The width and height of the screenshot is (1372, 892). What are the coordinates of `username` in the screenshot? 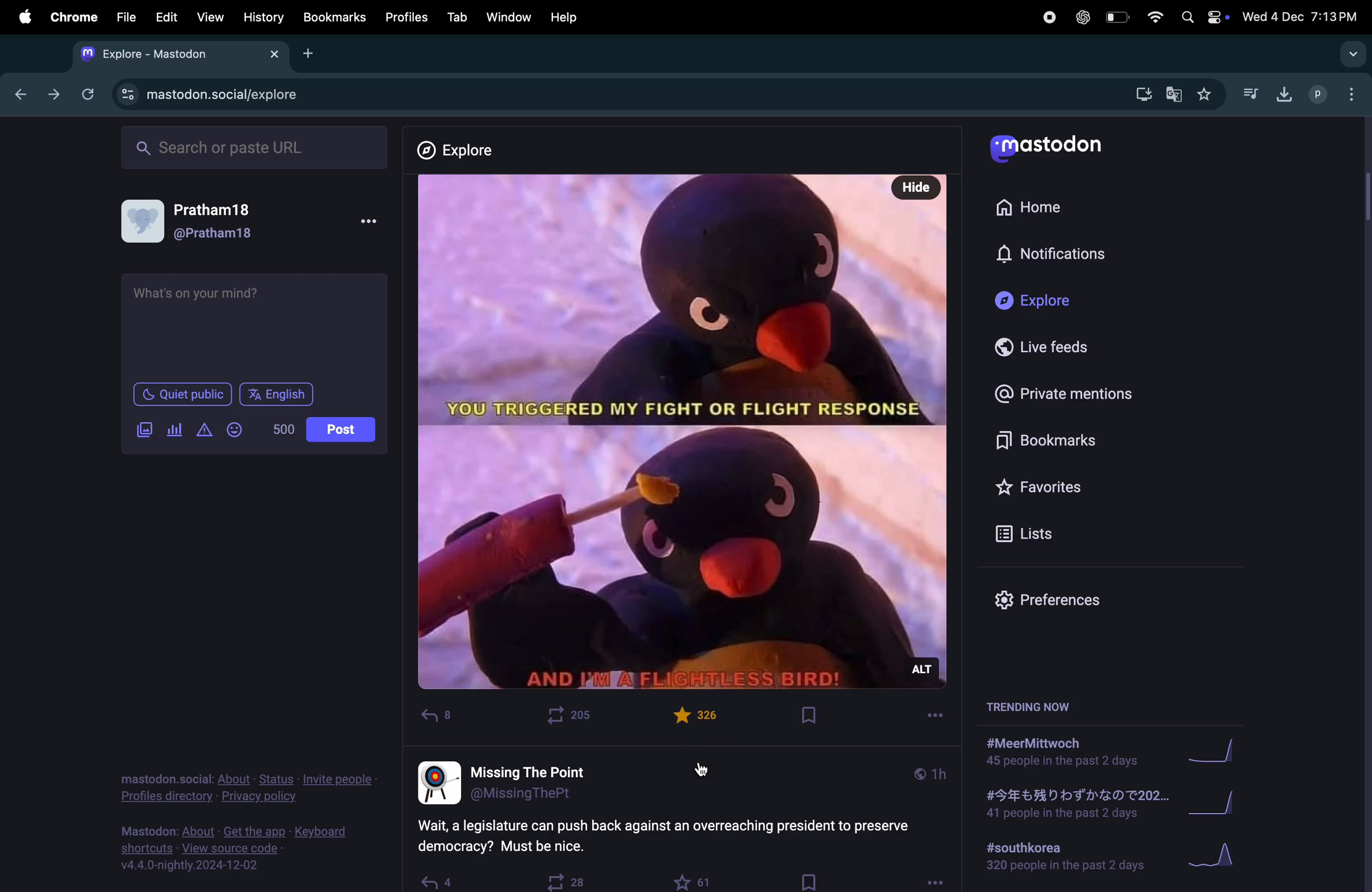 It's located at (682, 781).